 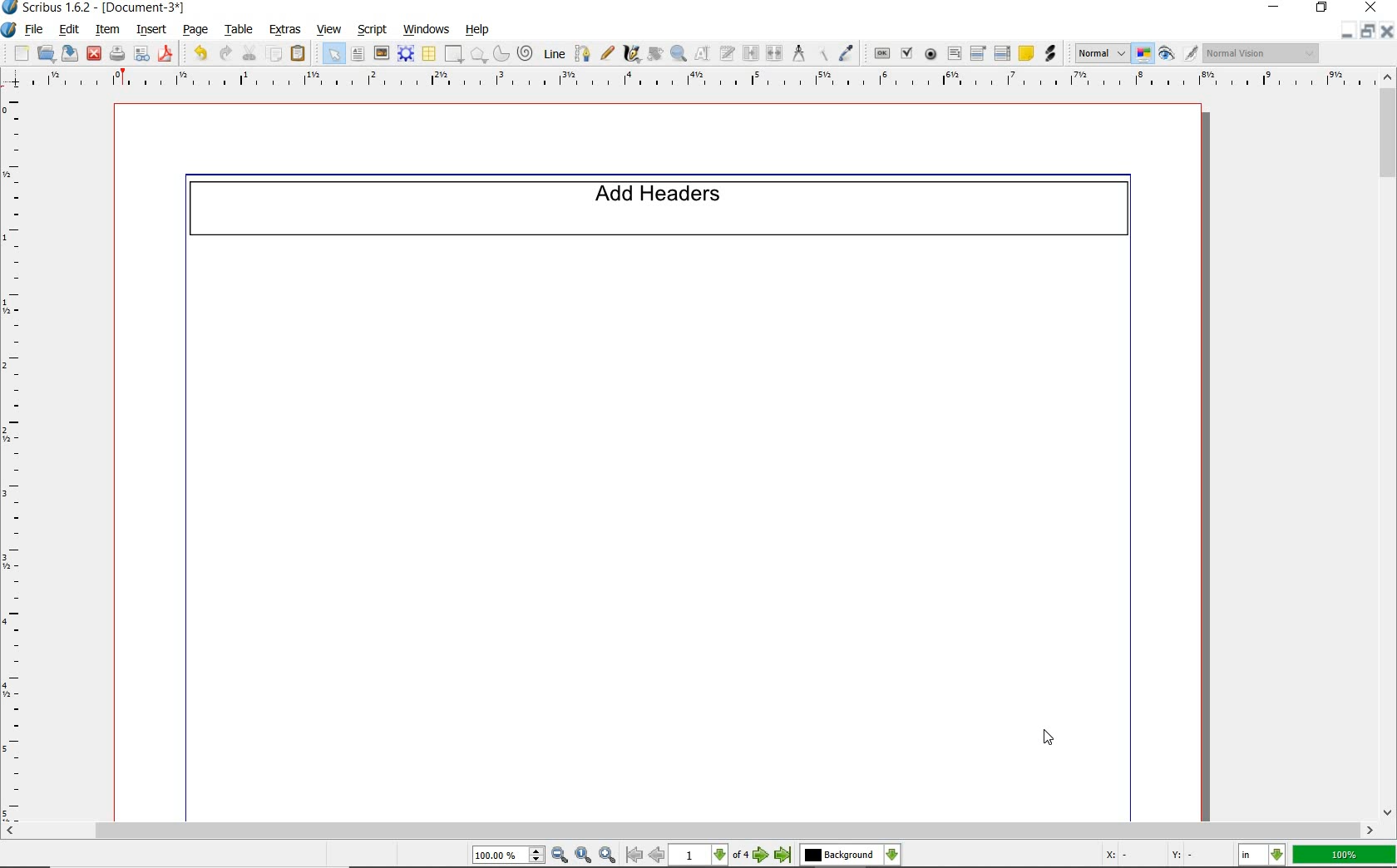 What do you see at coordinates (634, 856) in the screenshot?
I see `go to first page` at bounding box center [634, 856].